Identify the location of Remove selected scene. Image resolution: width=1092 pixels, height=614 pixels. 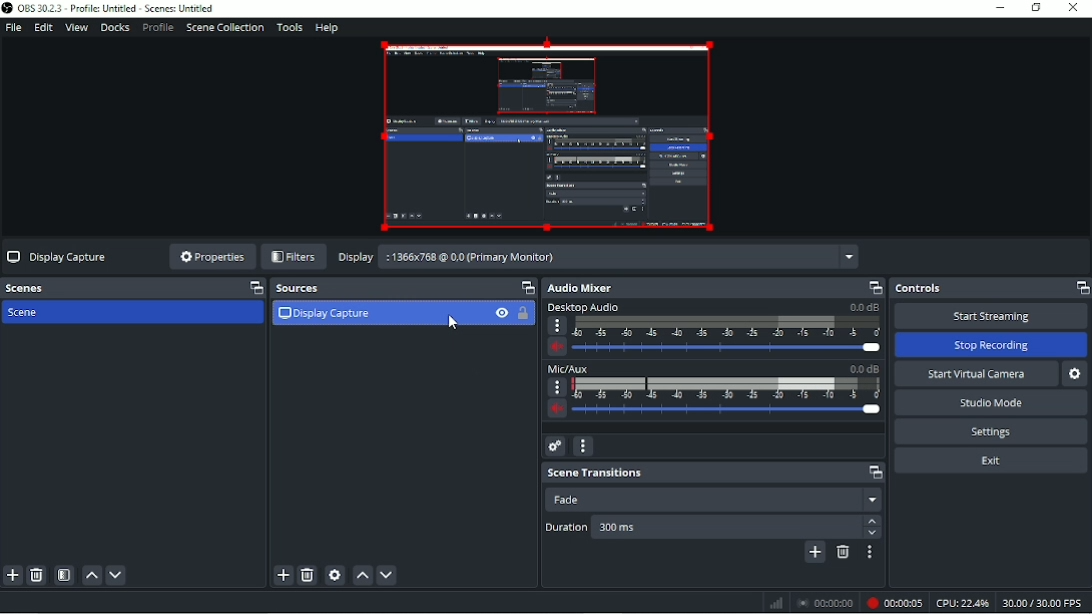
(37, 575).